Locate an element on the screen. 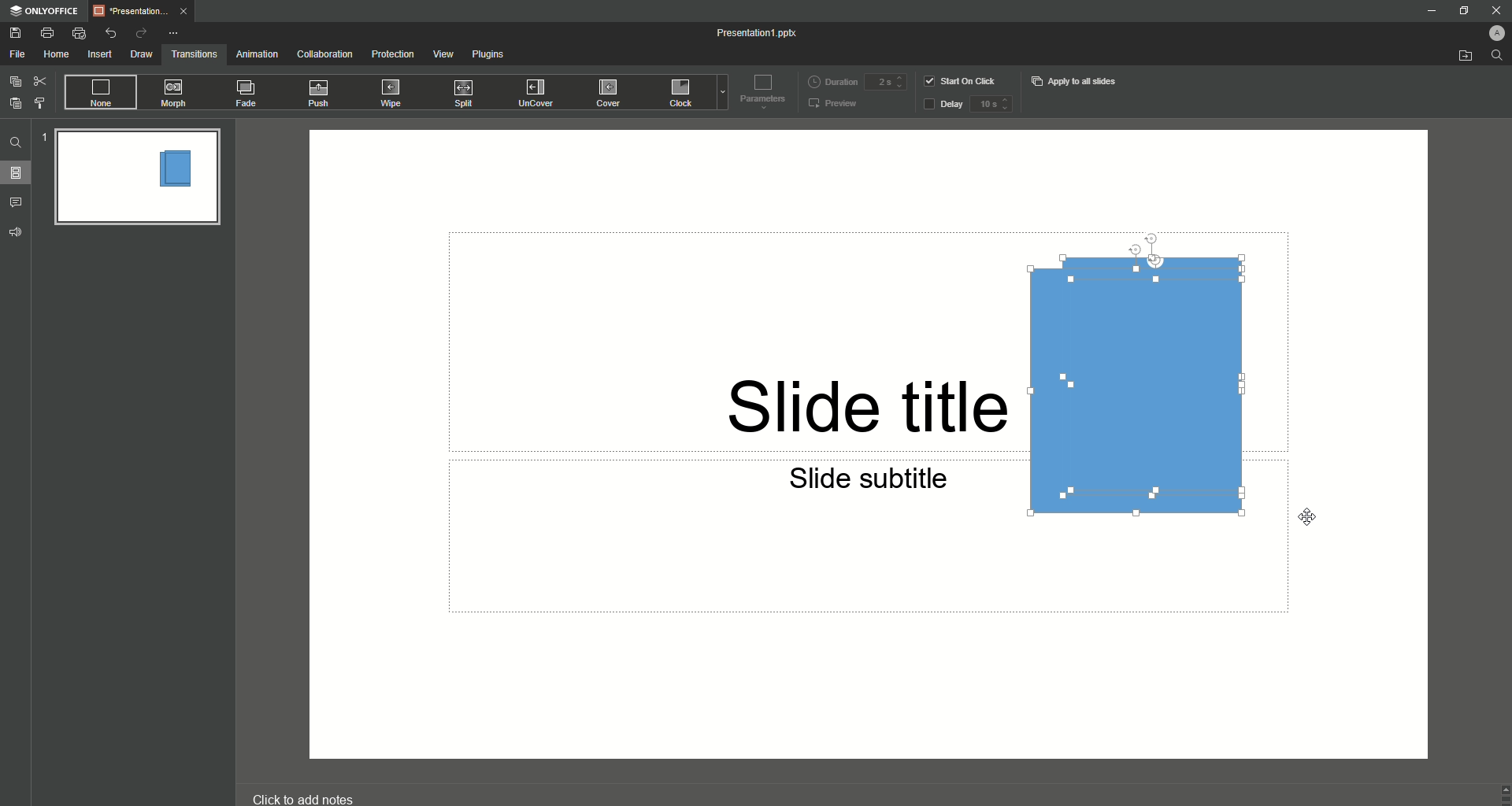  Copy is located at coordinates (15, 81).